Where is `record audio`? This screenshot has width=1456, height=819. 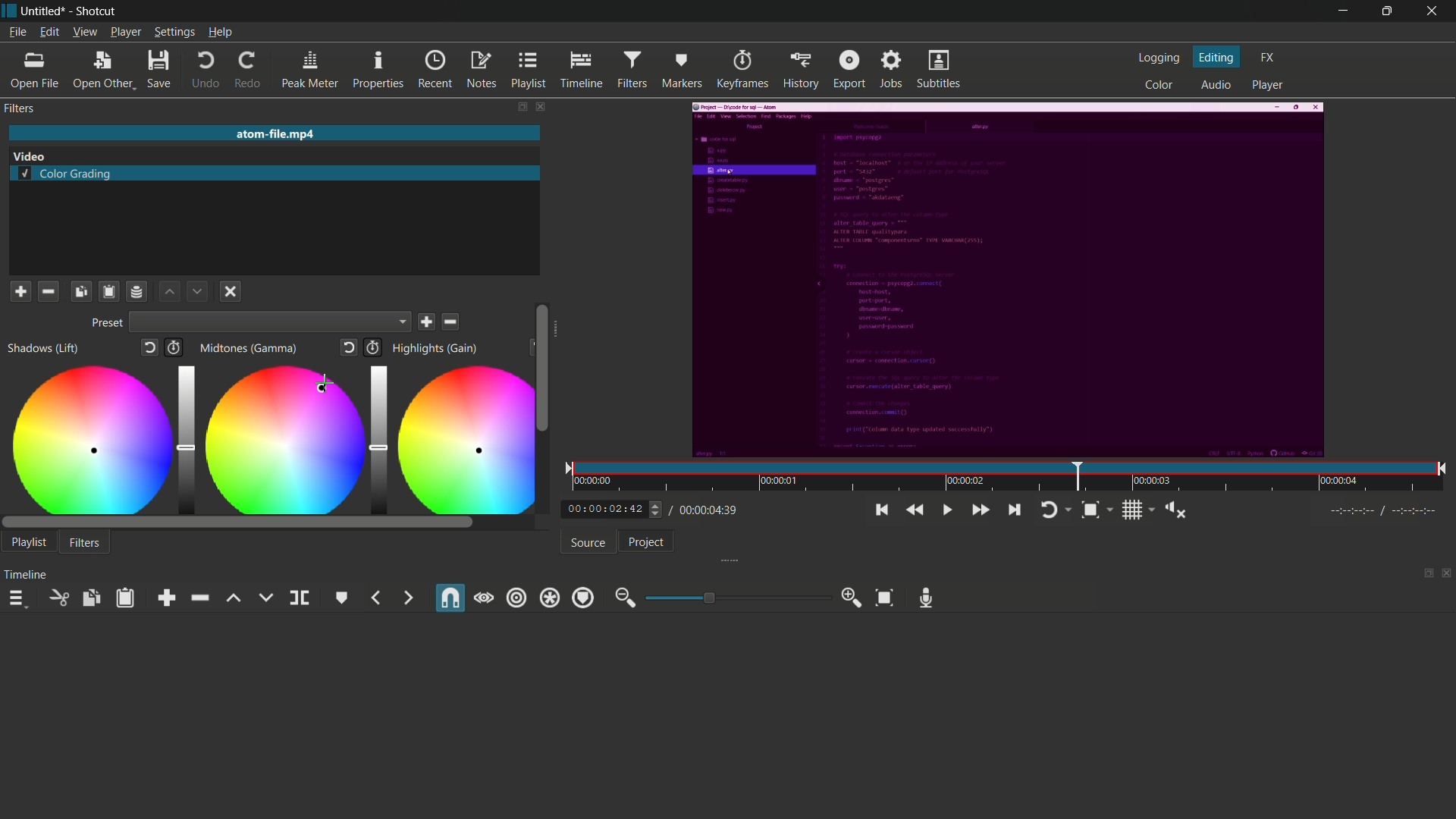 record audio is located at coordinates (927, 598).